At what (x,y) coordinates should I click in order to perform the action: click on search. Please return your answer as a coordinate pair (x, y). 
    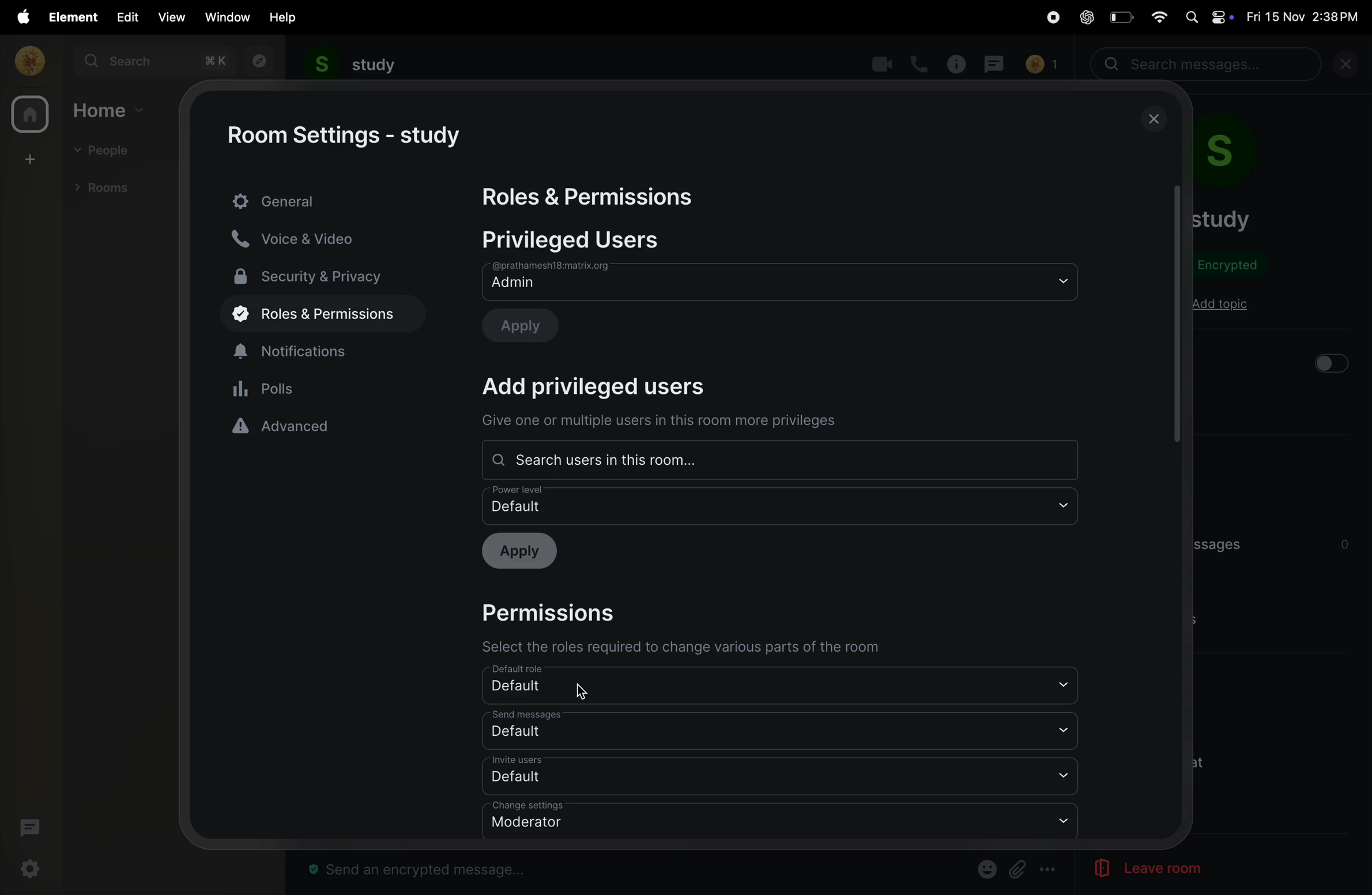
    Looking at the image, I should click on (153, 61).